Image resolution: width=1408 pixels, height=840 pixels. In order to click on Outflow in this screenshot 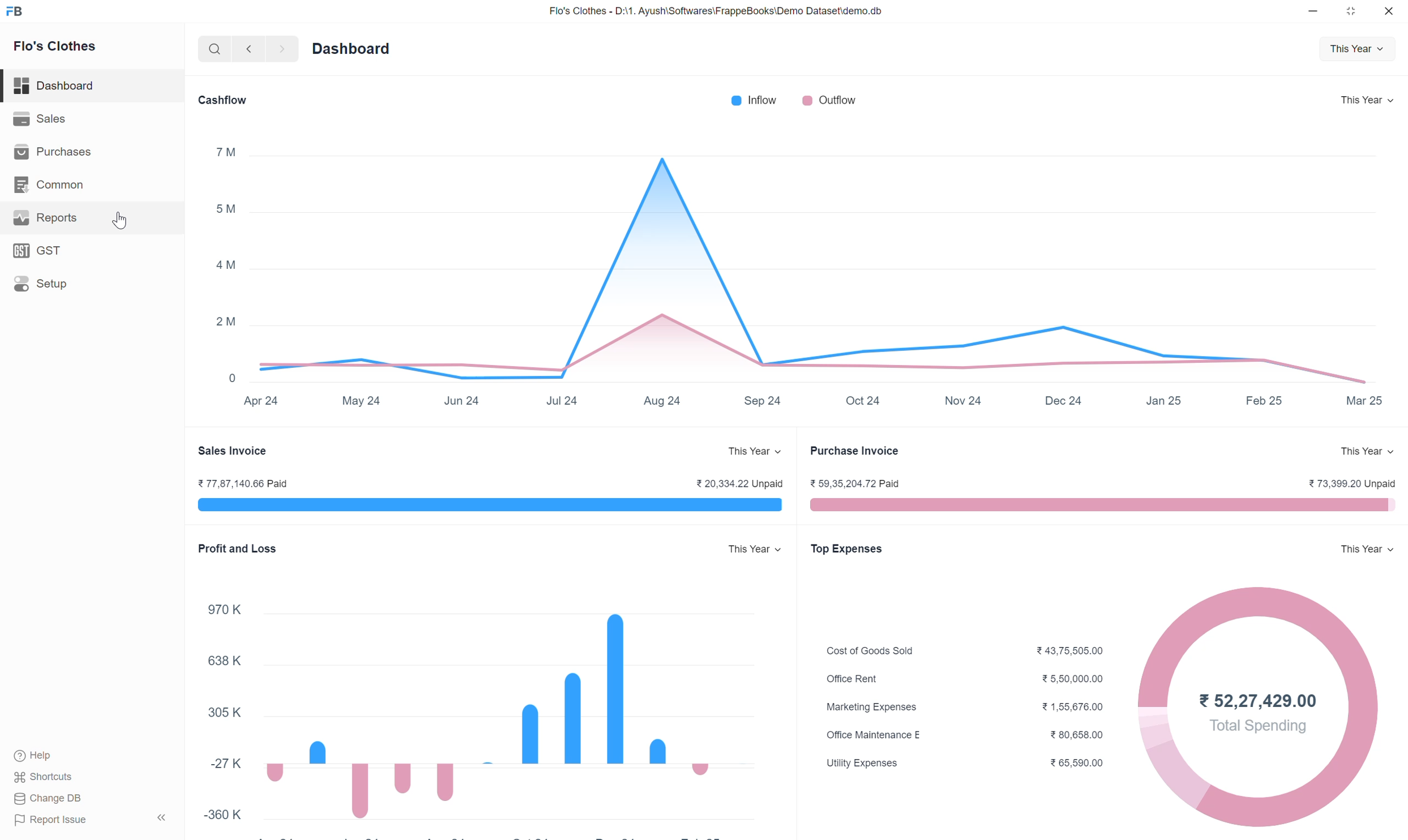, I will do `click(827, 98)`.